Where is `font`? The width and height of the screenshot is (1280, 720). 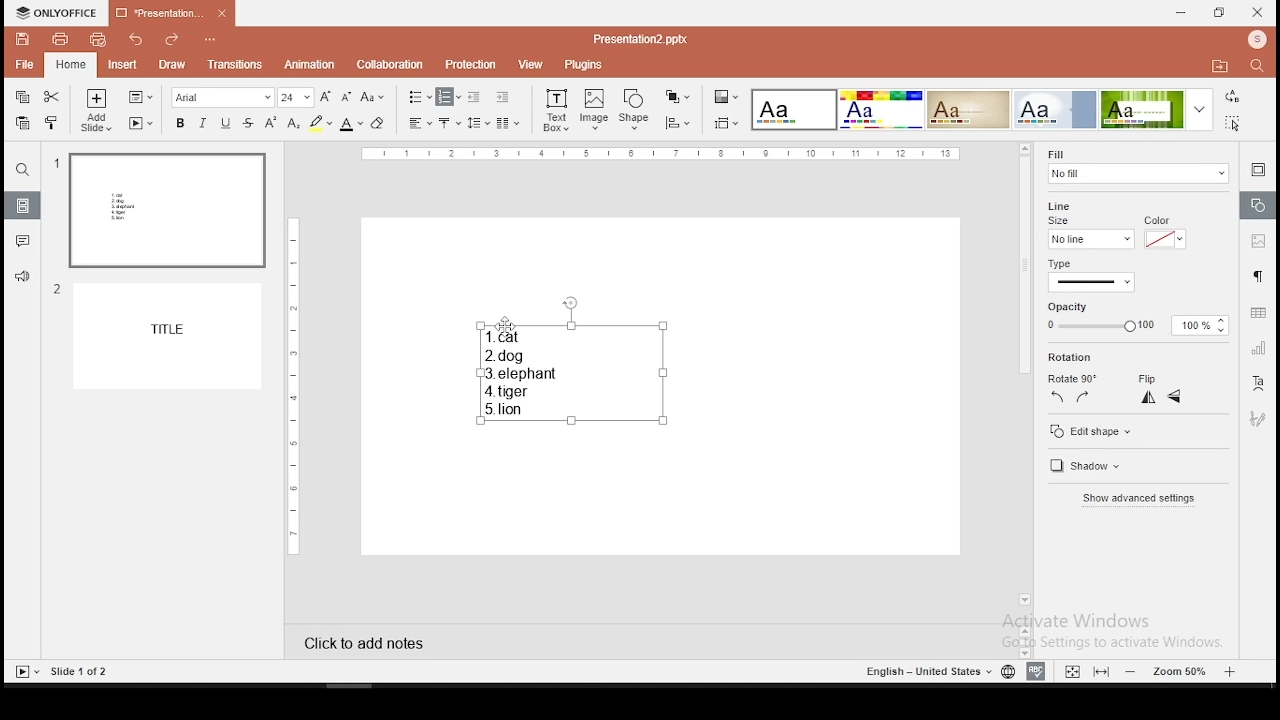 font is located at coordinates (224, 97).